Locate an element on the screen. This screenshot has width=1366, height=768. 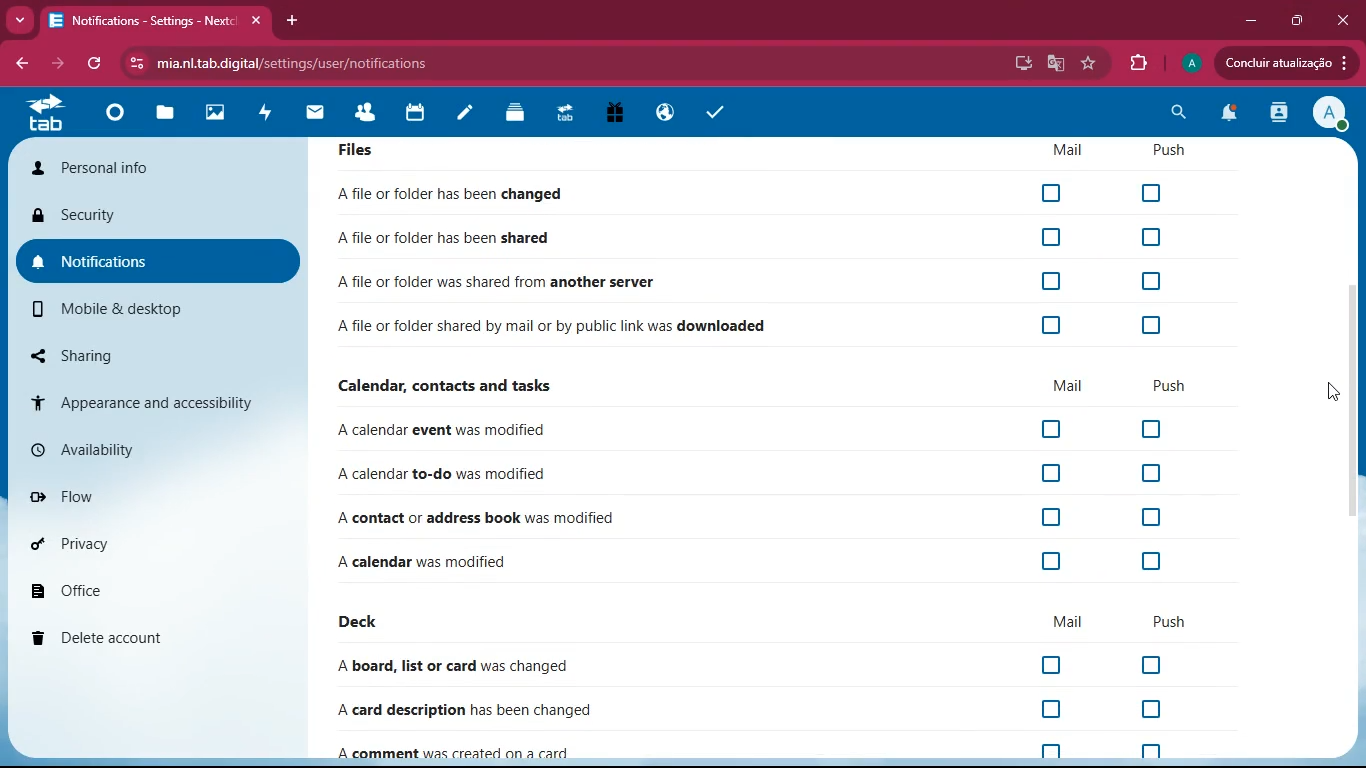
push is located at coordinates (1165, 385).